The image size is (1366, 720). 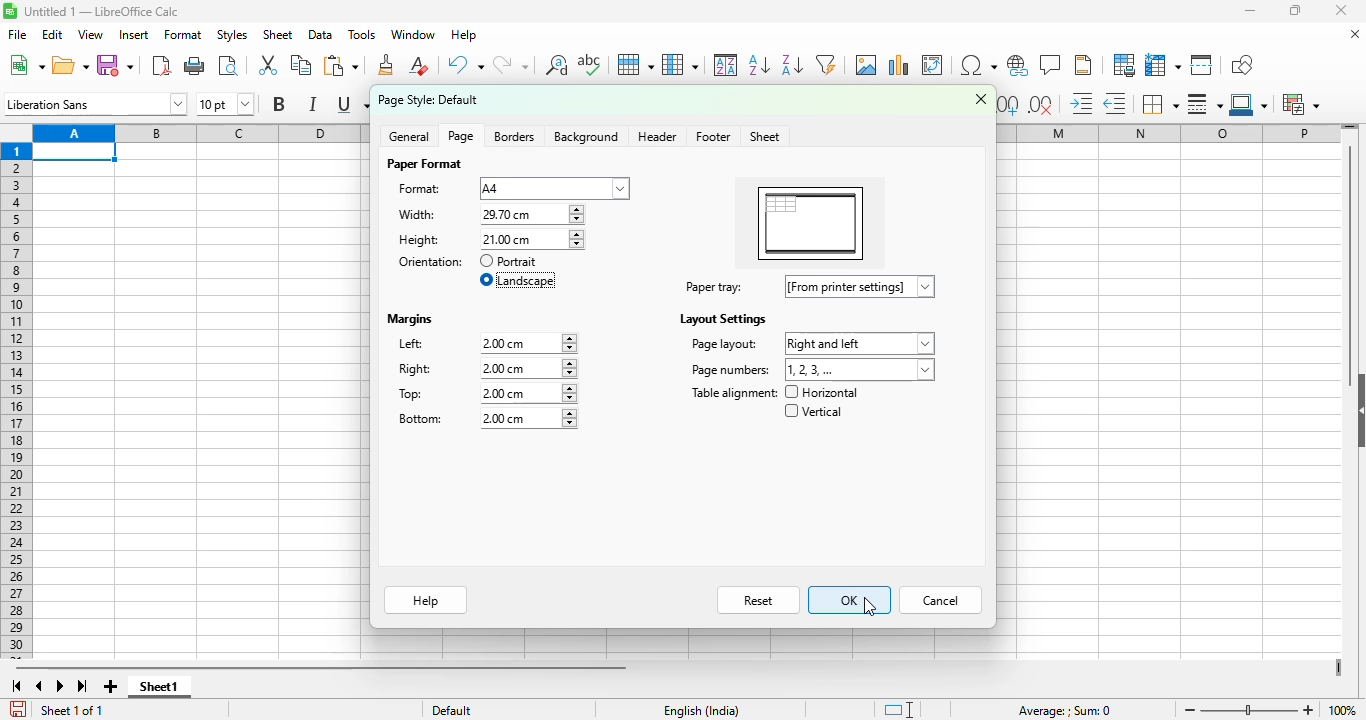 I want to click on toggle print preview, so click(x=228, y=66).